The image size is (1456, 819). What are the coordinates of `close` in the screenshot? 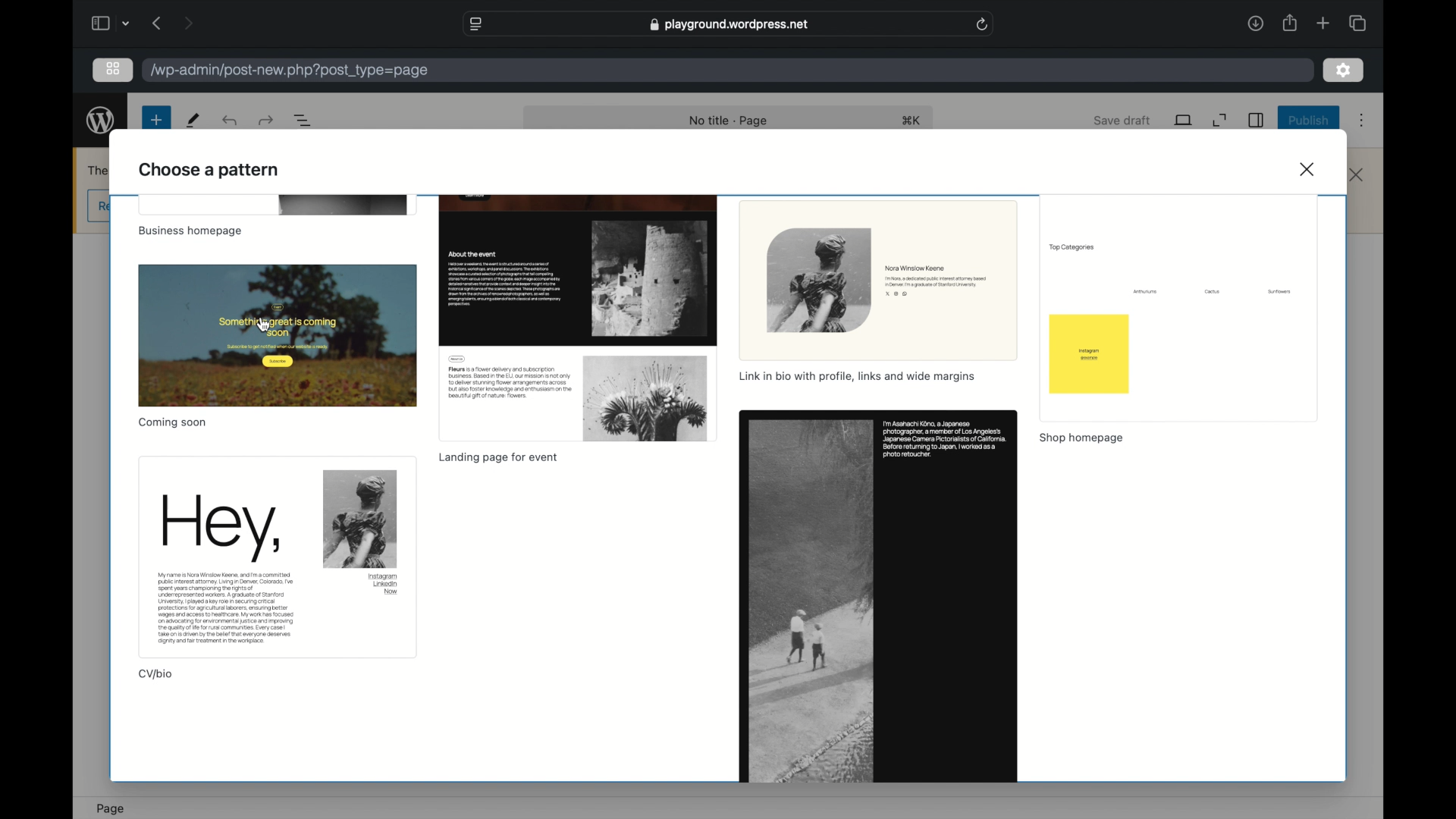 It's located at (1357, 175).